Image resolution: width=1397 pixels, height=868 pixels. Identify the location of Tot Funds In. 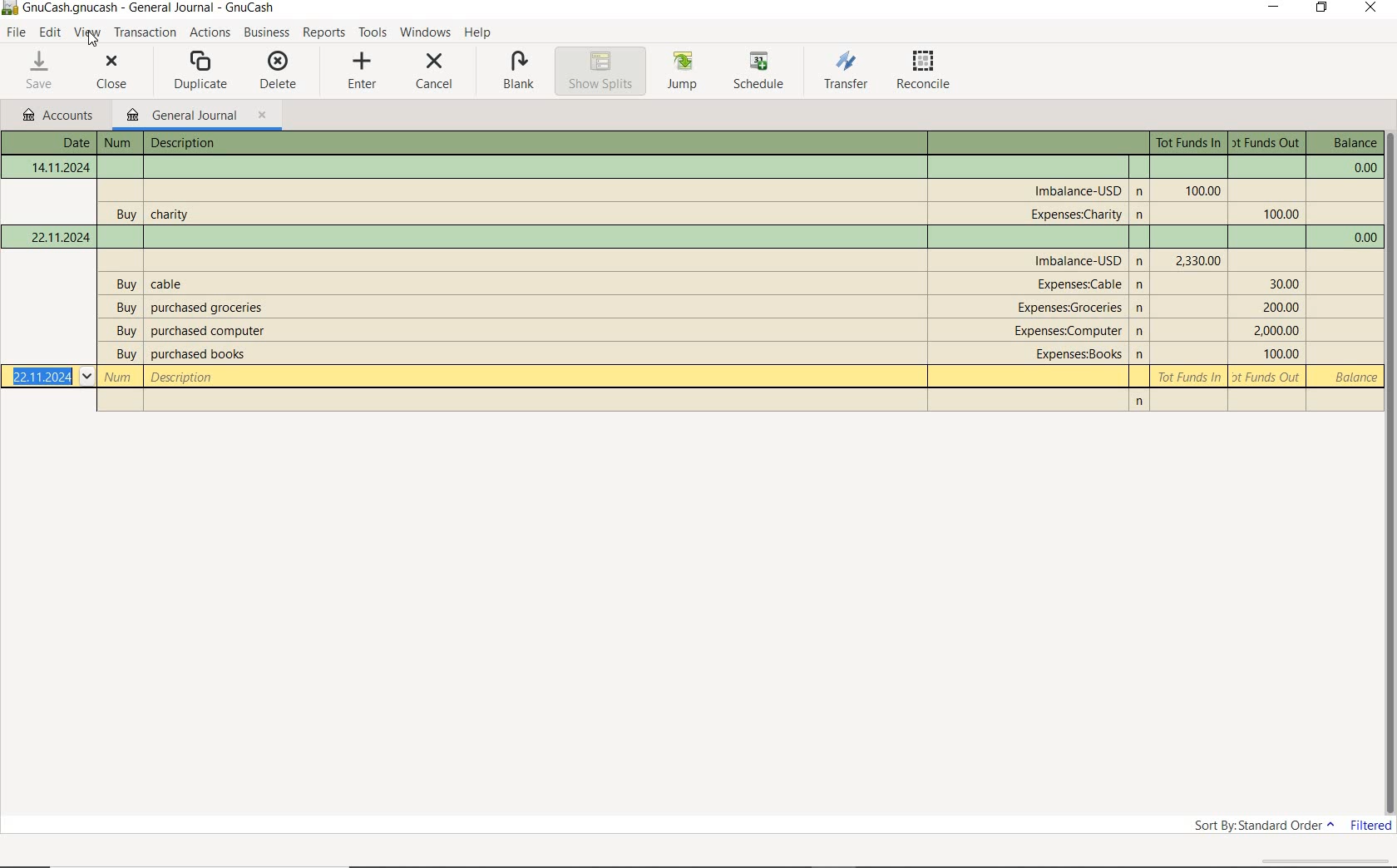
(1191, 377).